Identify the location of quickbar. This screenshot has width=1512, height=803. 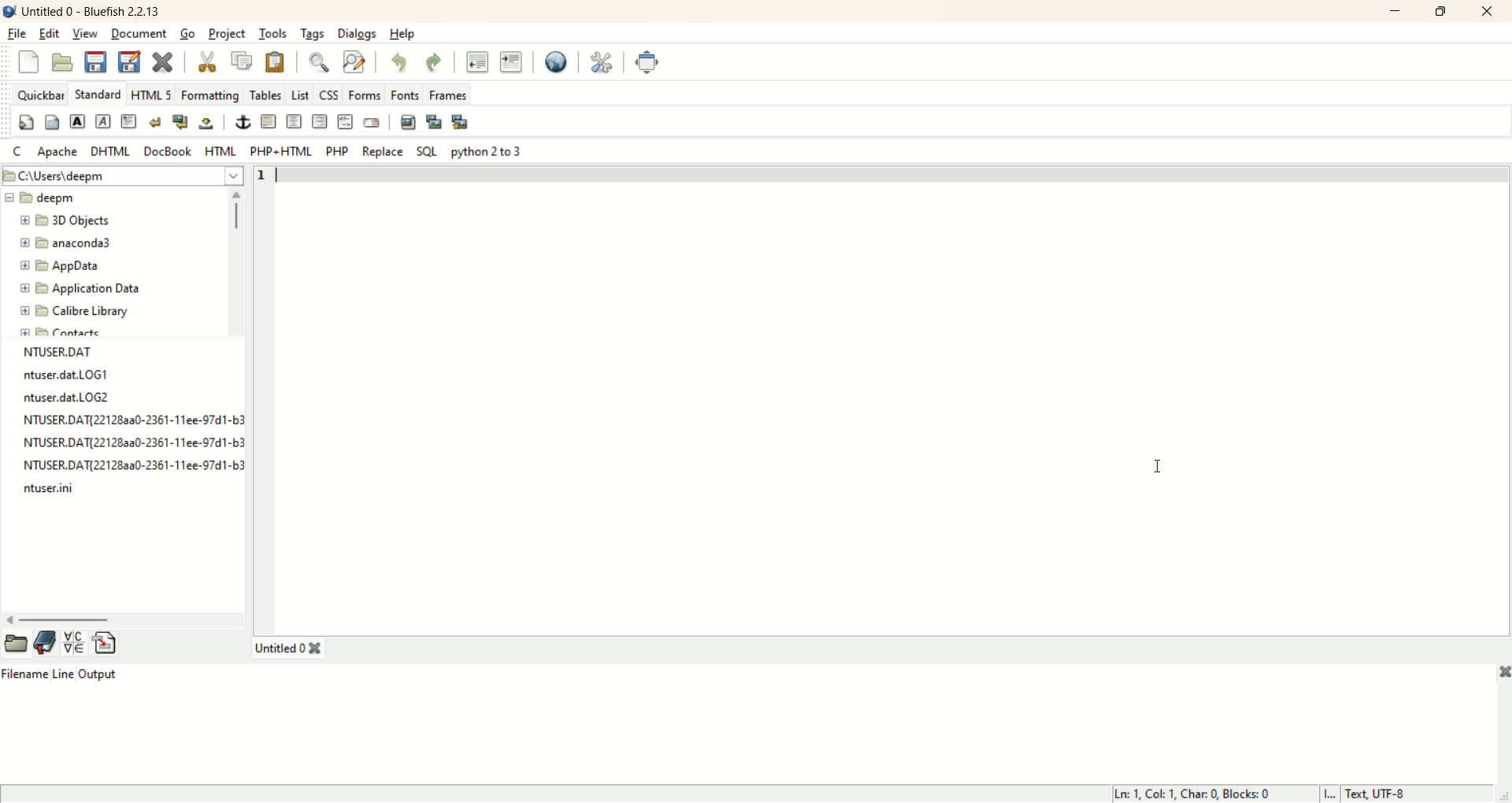
(39, 94).